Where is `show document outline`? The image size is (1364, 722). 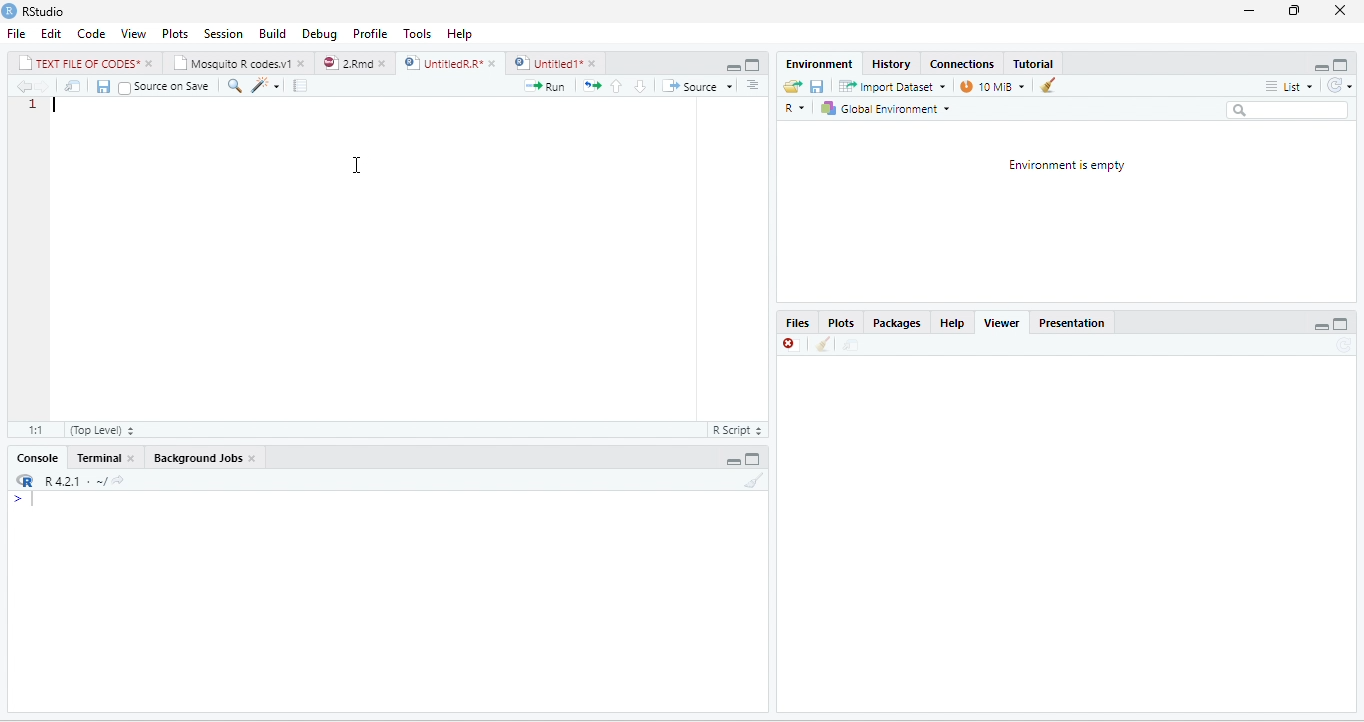
show document outline is located at coordinates (752, 85).